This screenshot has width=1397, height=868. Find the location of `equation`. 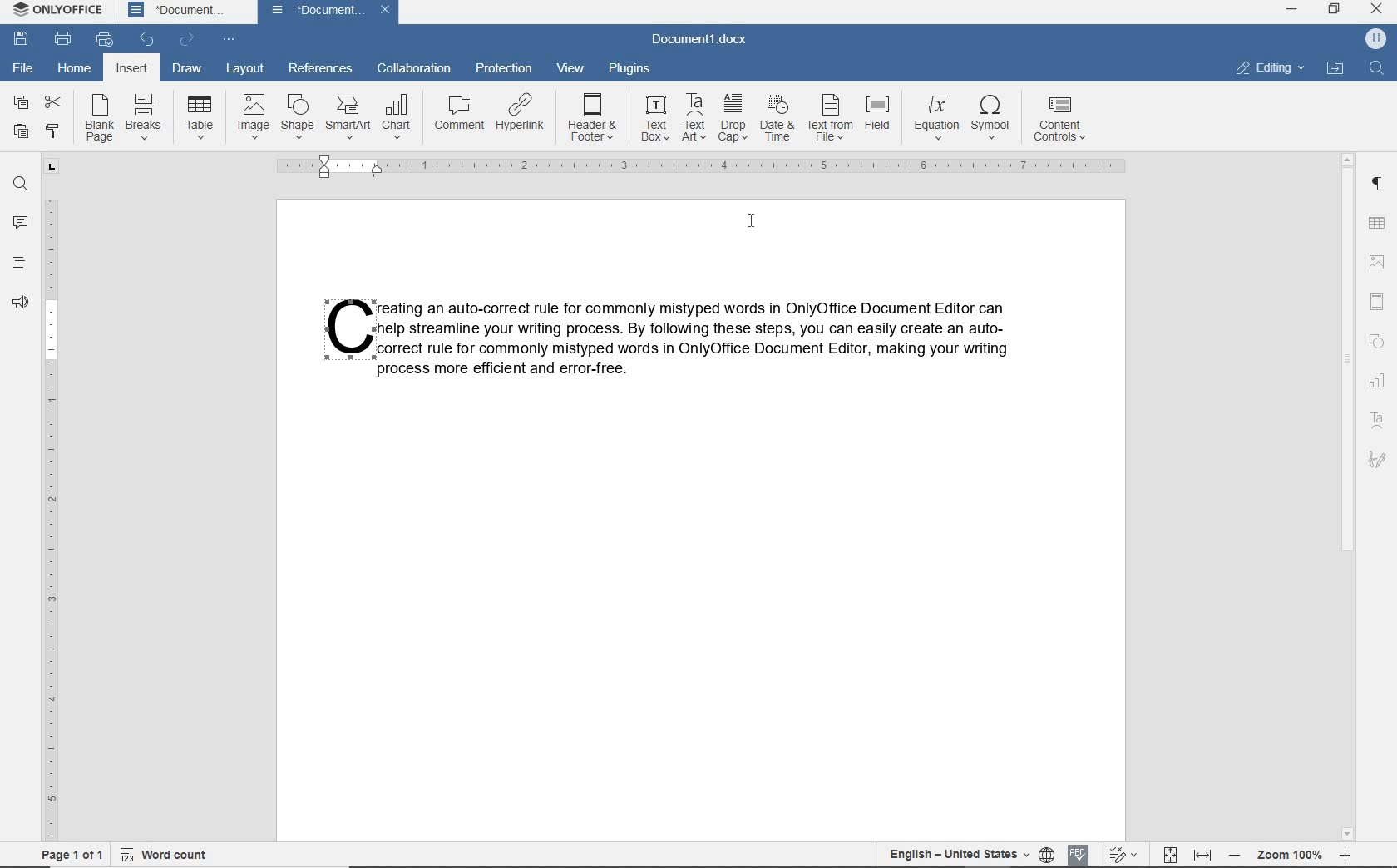

equation is located at coordinates (934, 119).